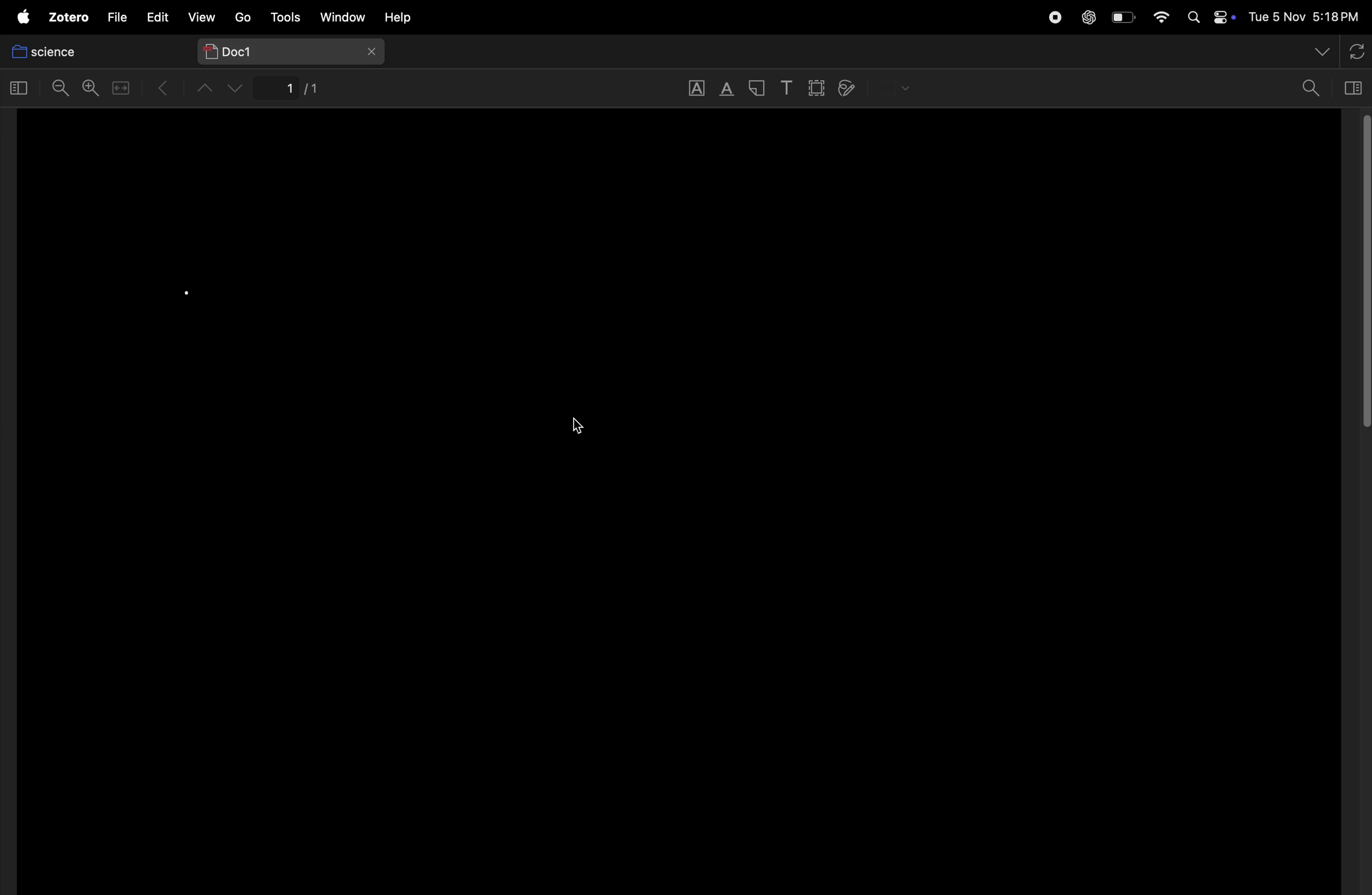  Describe the element at coordinates (236, 89) in the screenshot. I see `down` at that location.